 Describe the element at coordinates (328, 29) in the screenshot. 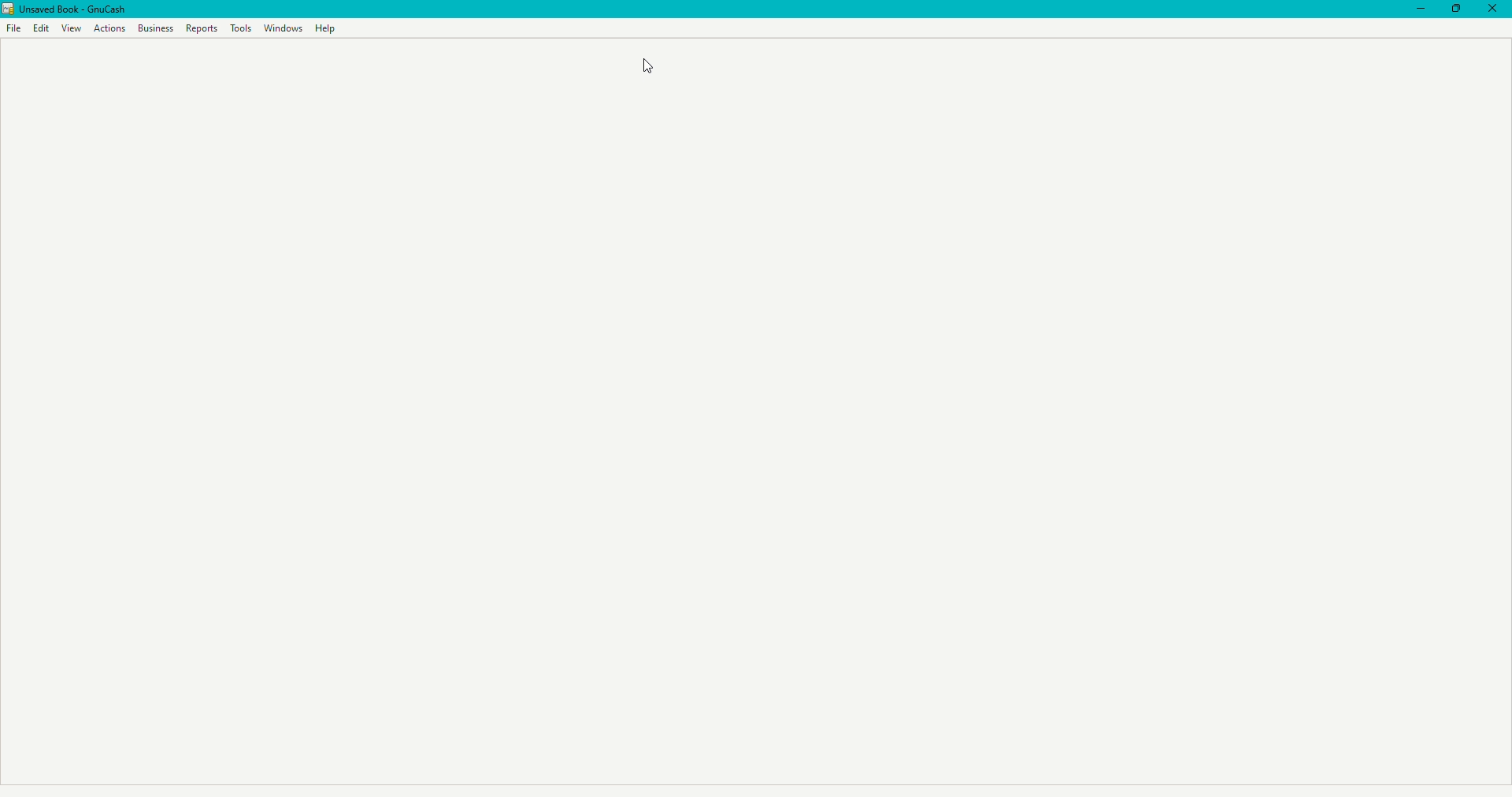

I see `Help` at that location.